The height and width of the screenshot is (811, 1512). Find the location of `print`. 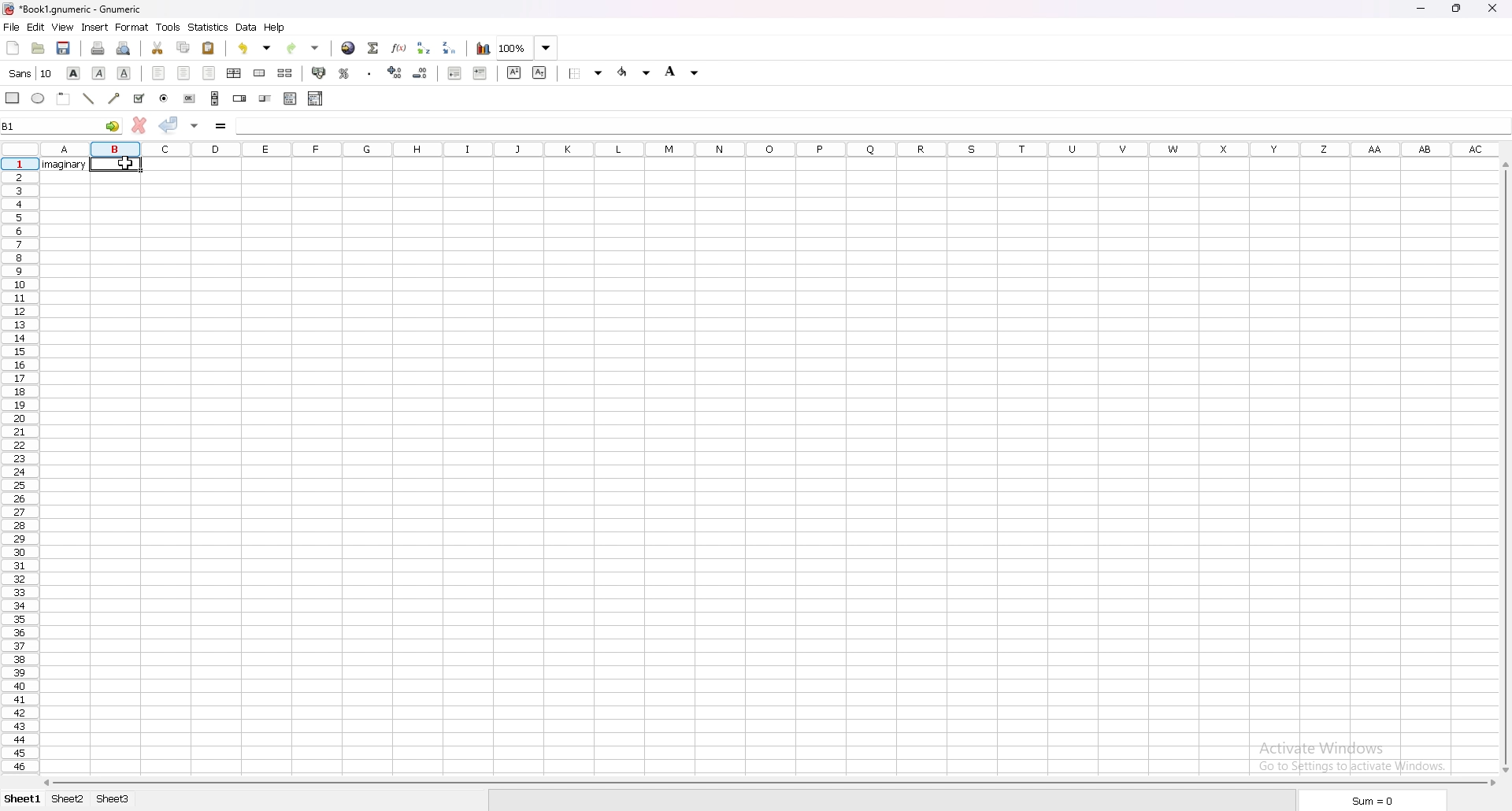

print is located at coordinates (98, 47).